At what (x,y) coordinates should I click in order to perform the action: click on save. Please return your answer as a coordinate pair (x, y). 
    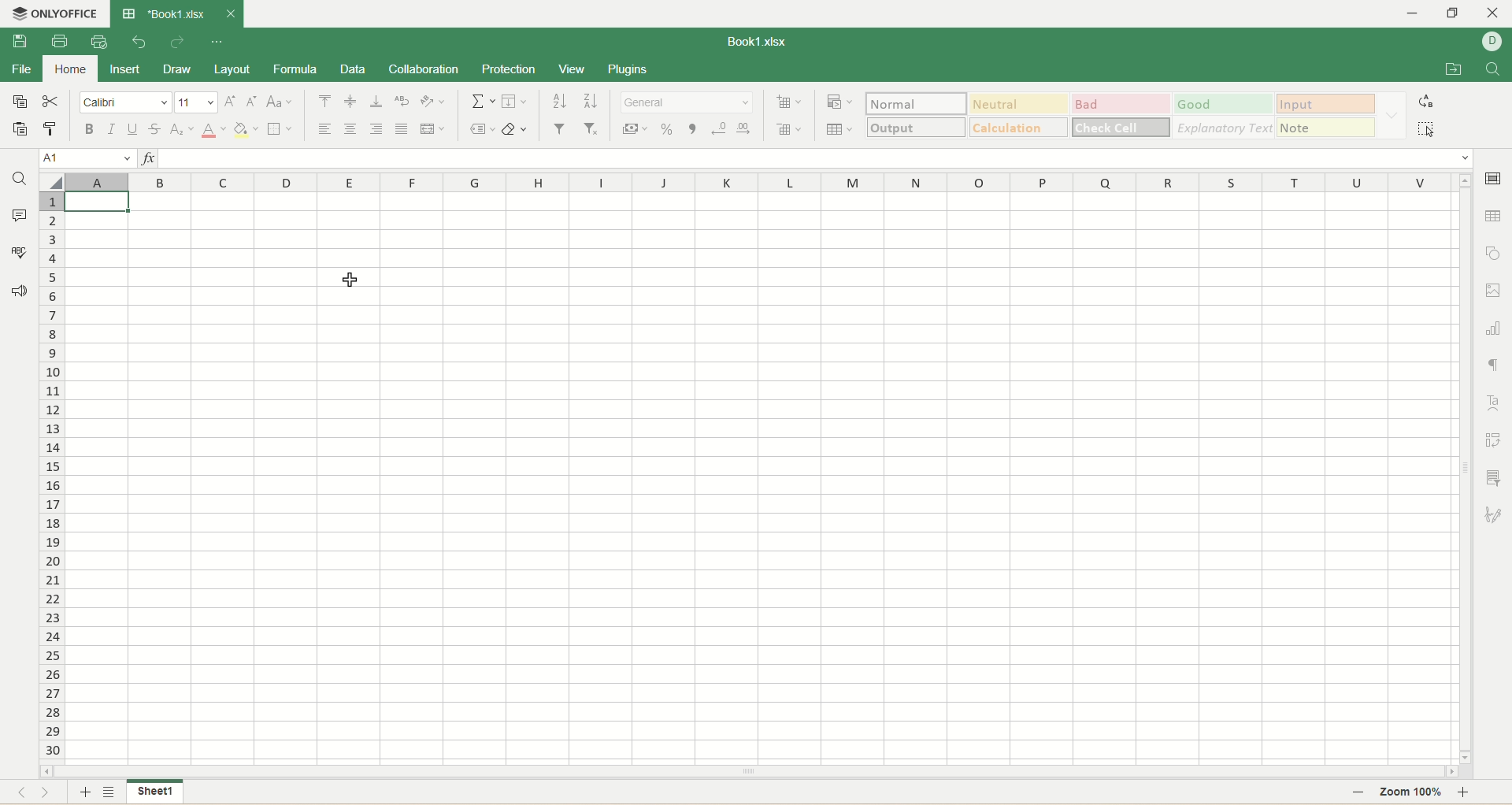
    Looking at the image, I should click on (20, 43).